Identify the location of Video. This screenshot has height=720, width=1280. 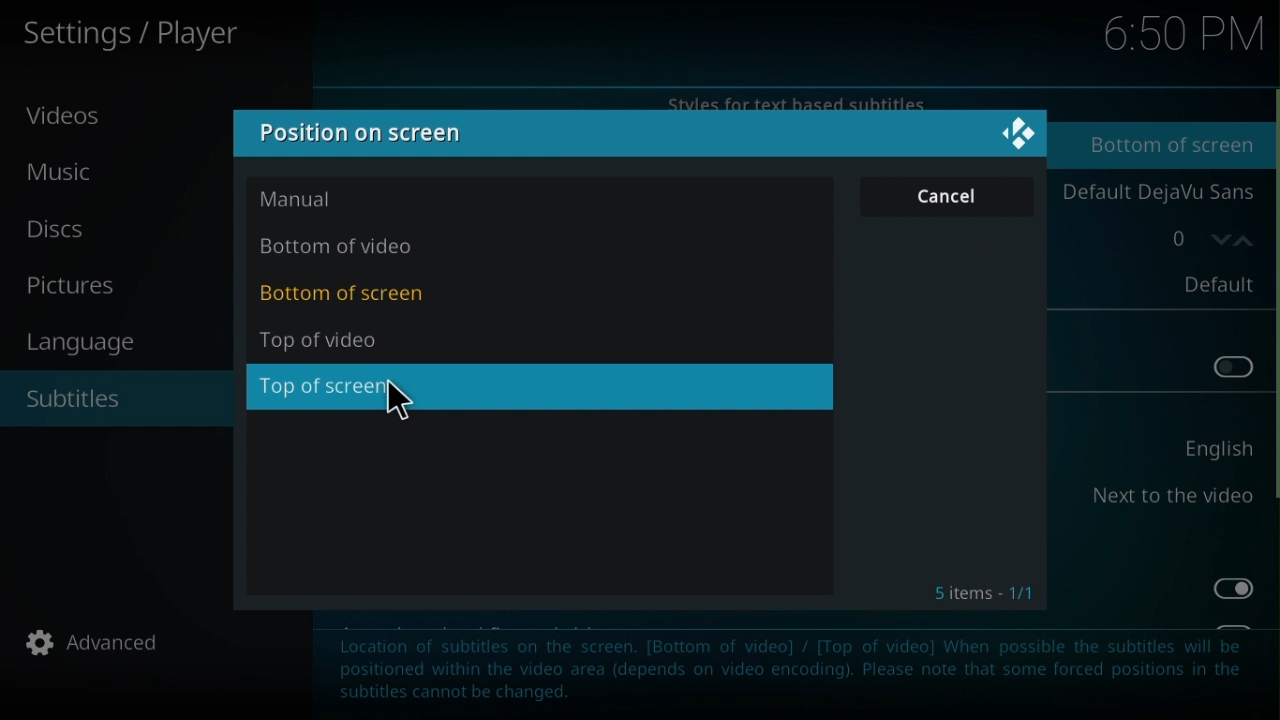
(67, 122).